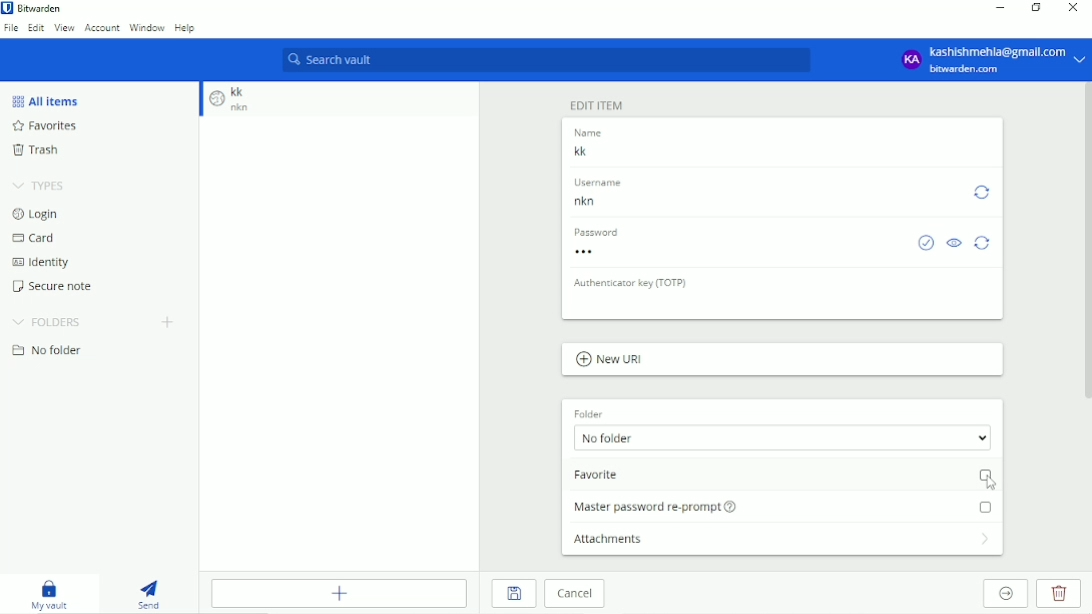 The width and height of the screenshot is (1092, 614). What do you see at coordinates (956, 243) in the screenshot?
I see `Toggle visibility` at bounding box center [956, 243].